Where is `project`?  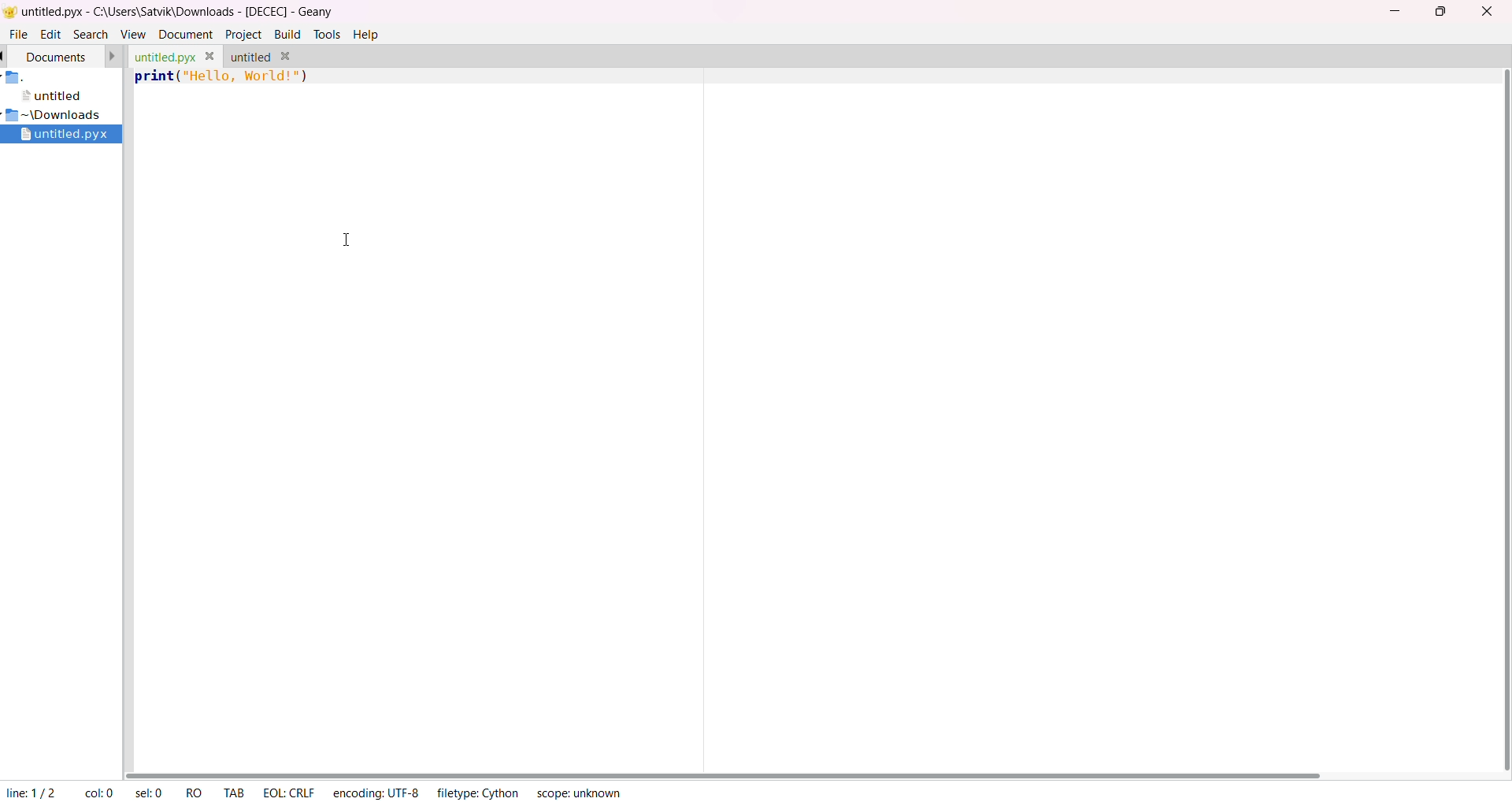
project is located at coordinates (243, 34).